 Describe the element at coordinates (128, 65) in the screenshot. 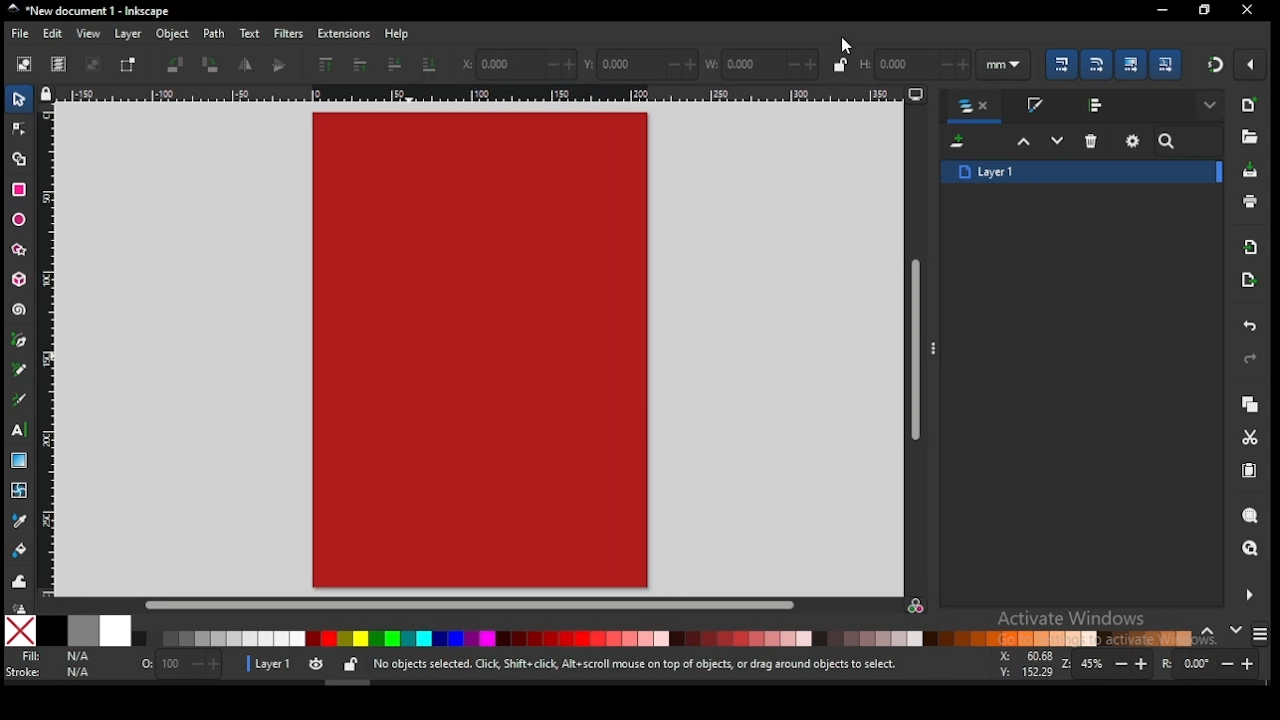

I see `toggle selection box to select all touched objects` at that location.